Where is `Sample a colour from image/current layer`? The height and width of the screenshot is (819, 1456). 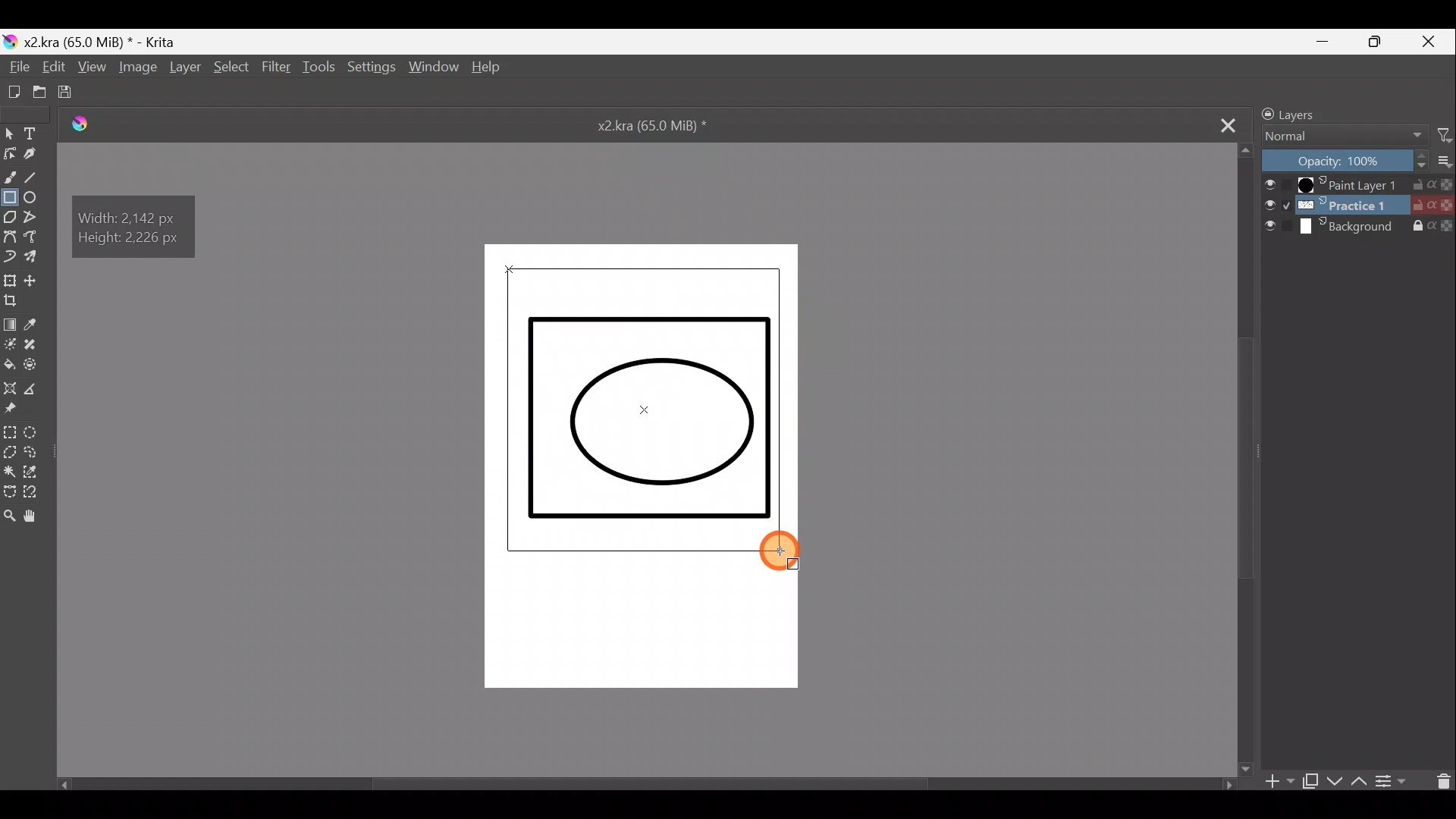 Sample a colour from image/current layer is located at coordinates (43, 325).